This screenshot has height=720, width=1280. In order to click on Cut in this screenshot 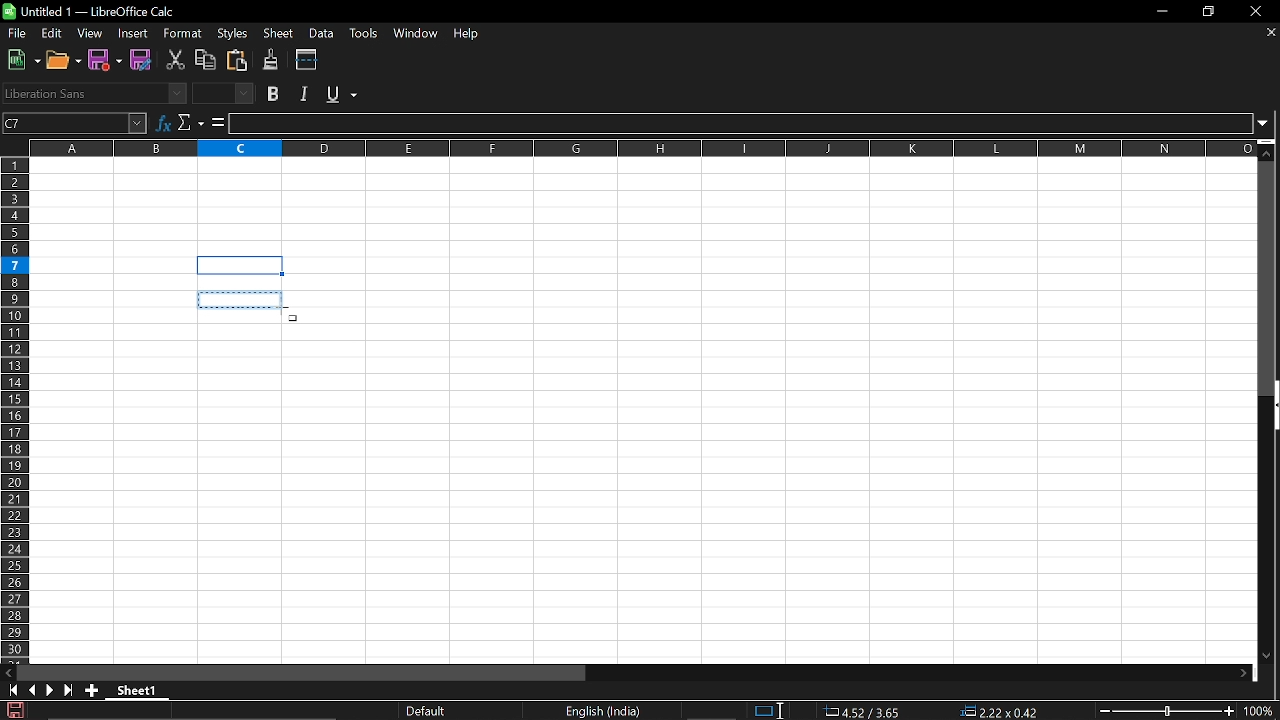, I will do `click(175, 60)`.